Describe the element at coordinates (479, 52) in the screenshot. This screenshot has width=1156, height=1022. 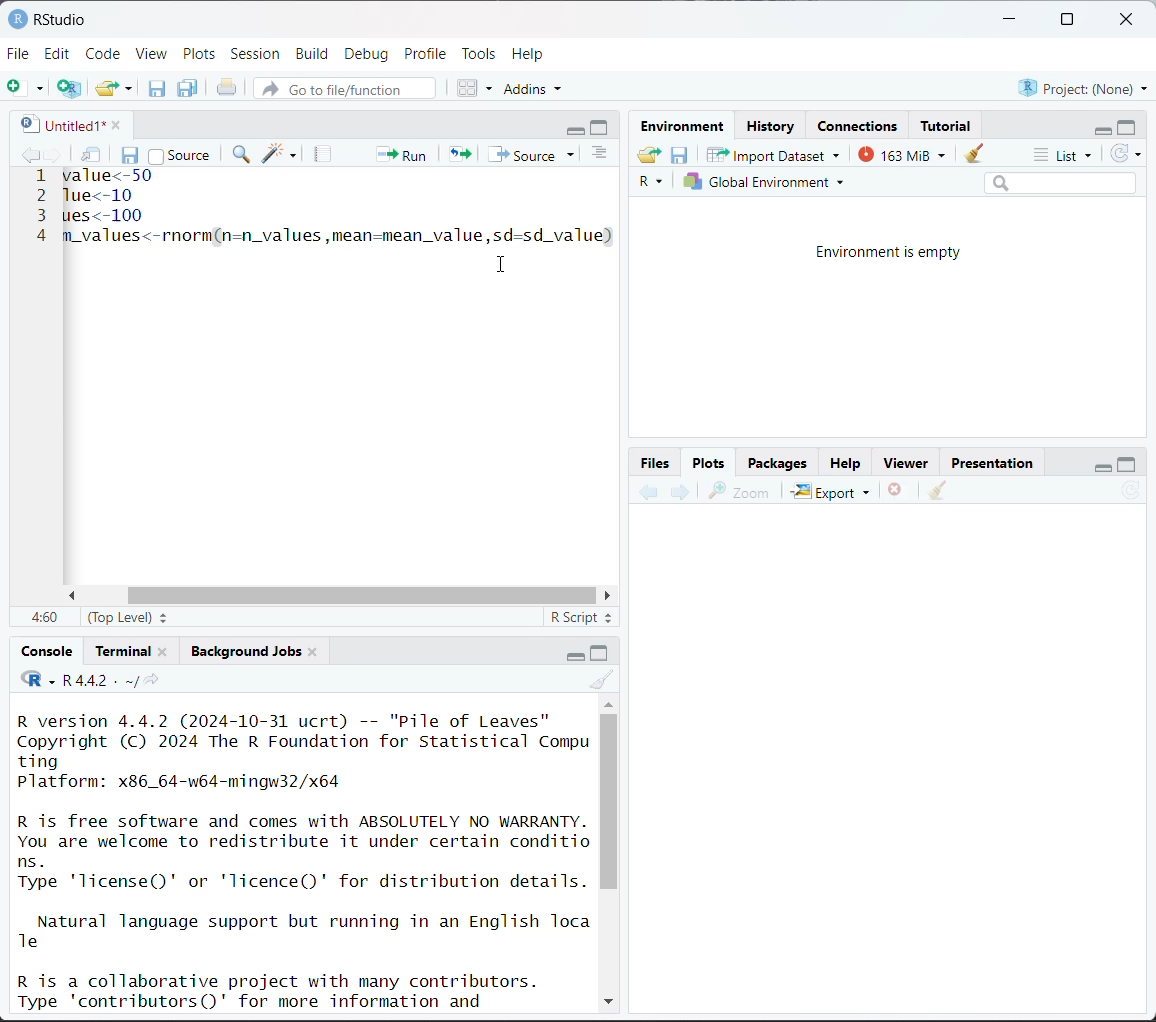
I see `Tools` at that location.